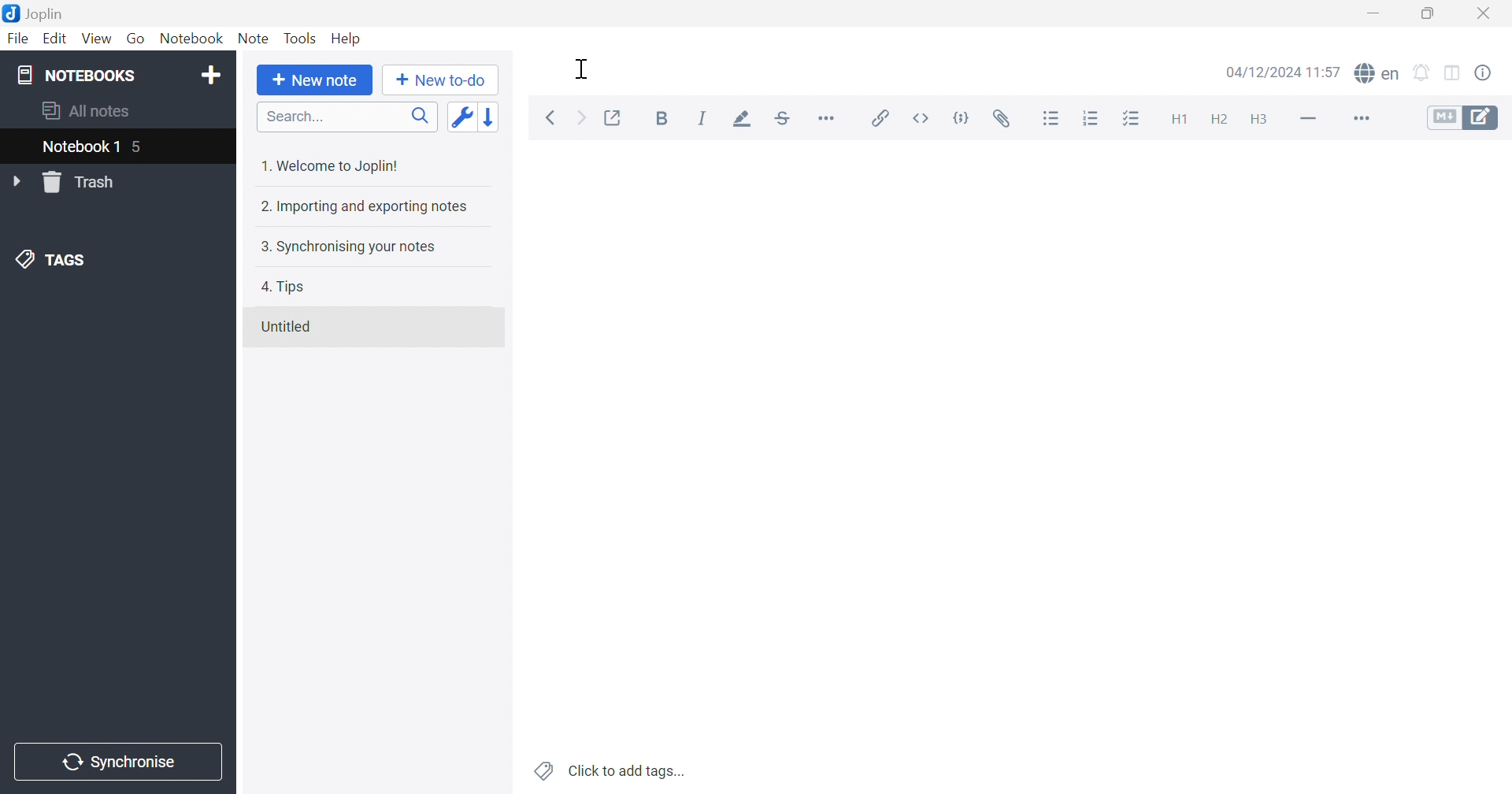 The height and width of the screenshot is (794, 1512). Describe the element at coordinates (1282, 72) in the screenshot. I see `04/12/2024 11:57` at that location.